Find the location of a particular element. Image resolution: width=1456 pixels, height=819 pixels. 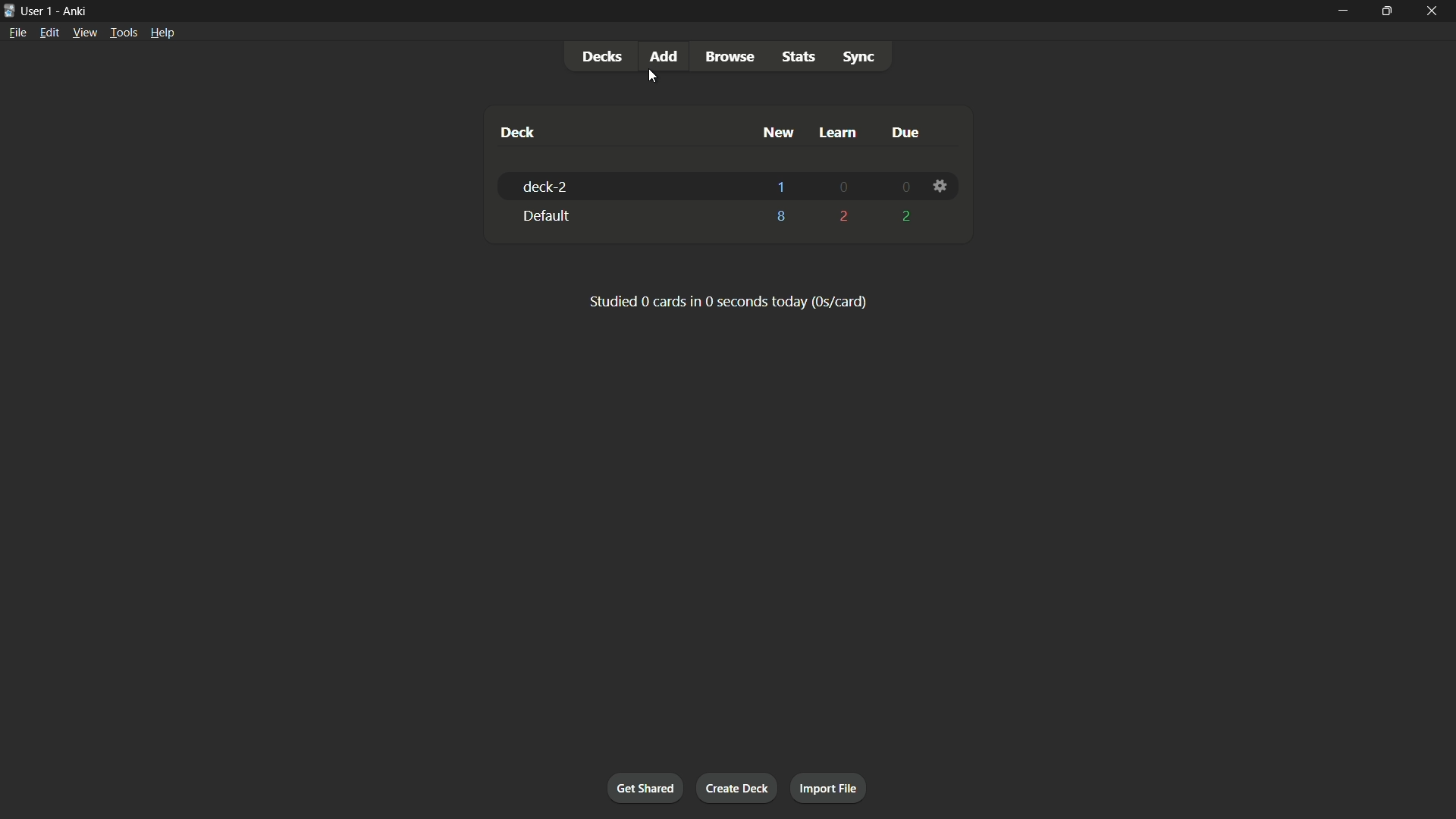

view menu is located at coordinates (84, 33).